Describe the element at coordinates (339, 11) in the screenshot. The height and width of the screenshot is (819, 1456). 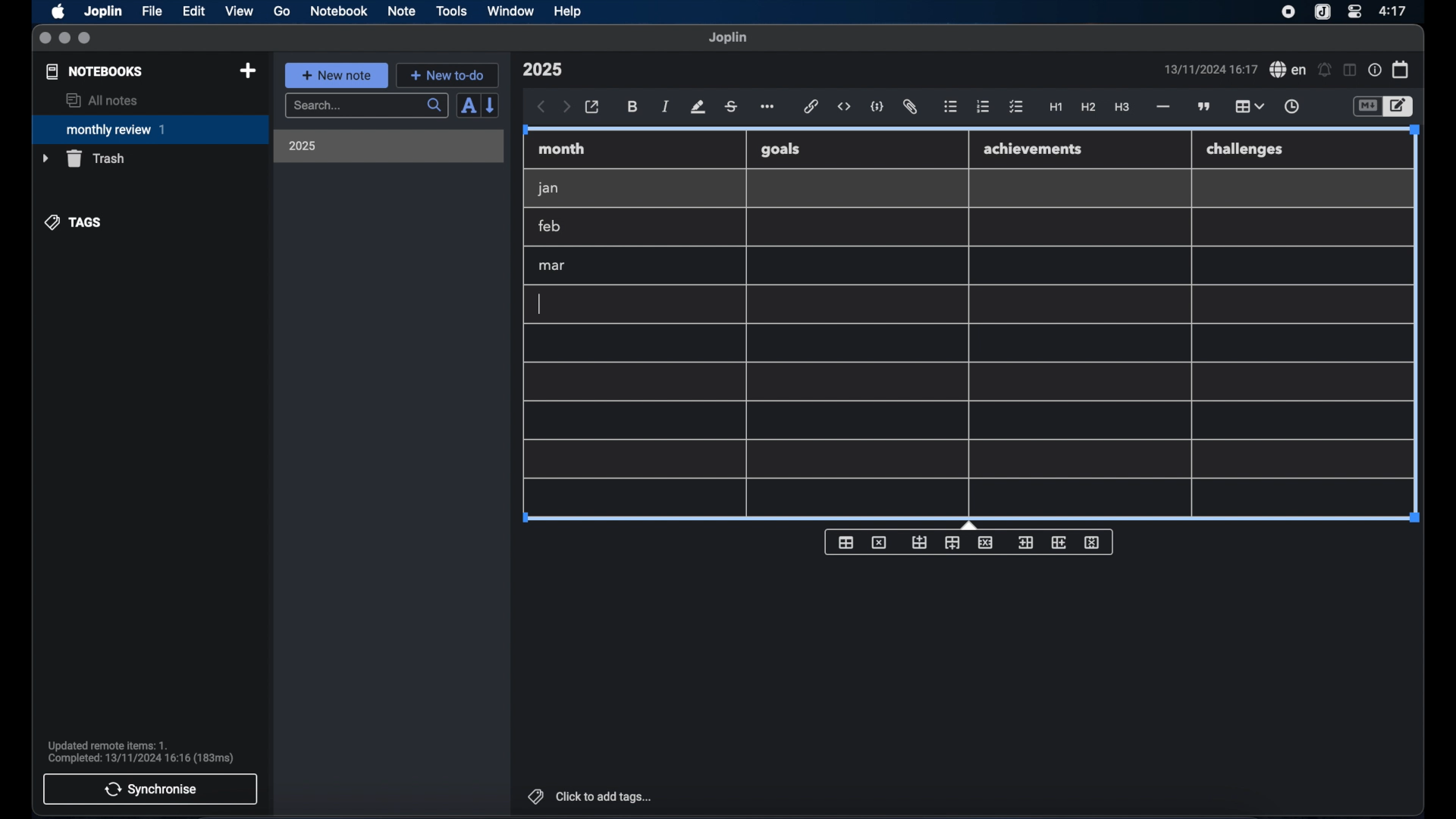
I see `notebook` at that location.